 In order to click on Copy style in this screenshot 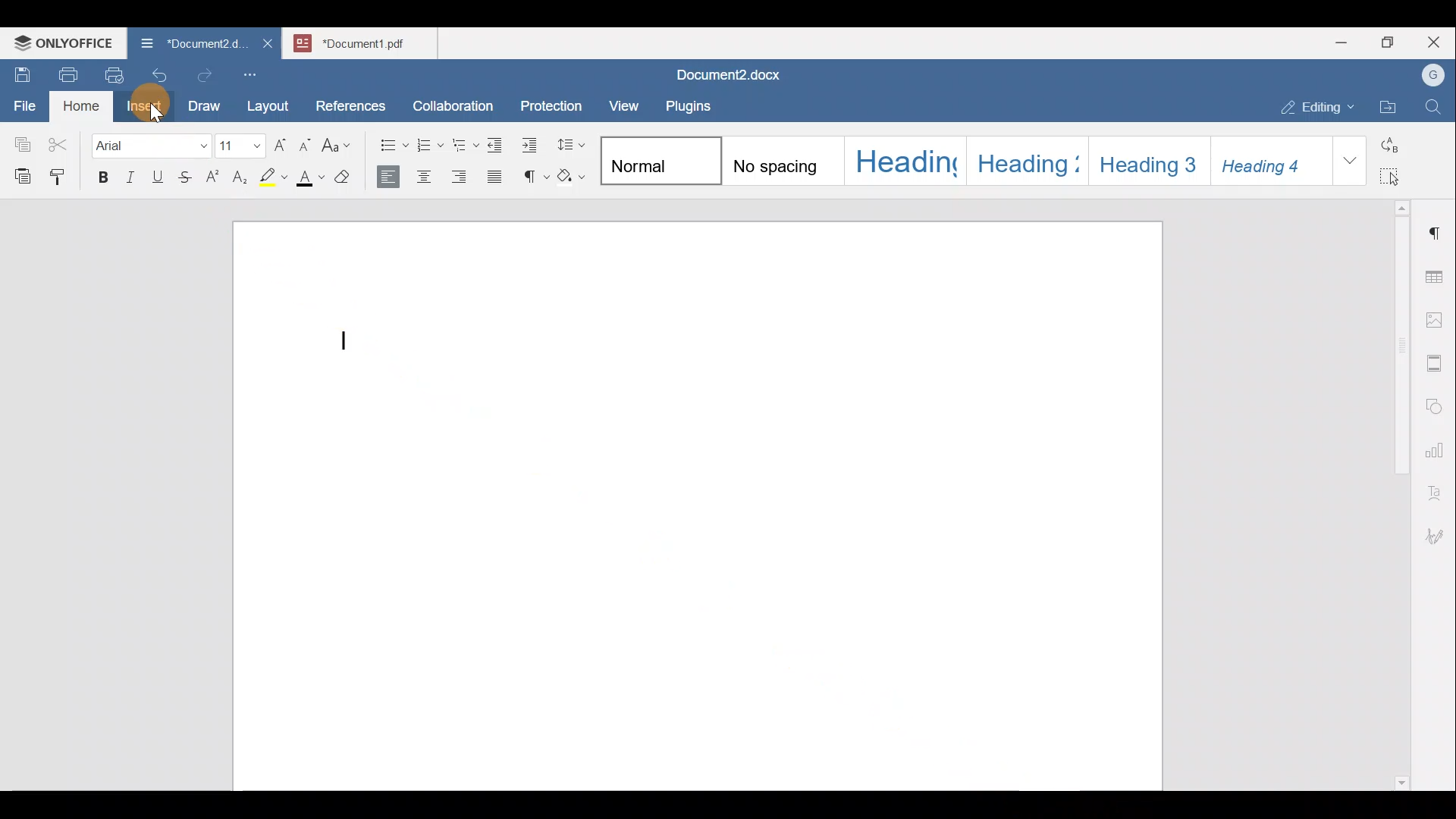, I will do `click(63, 173)`.